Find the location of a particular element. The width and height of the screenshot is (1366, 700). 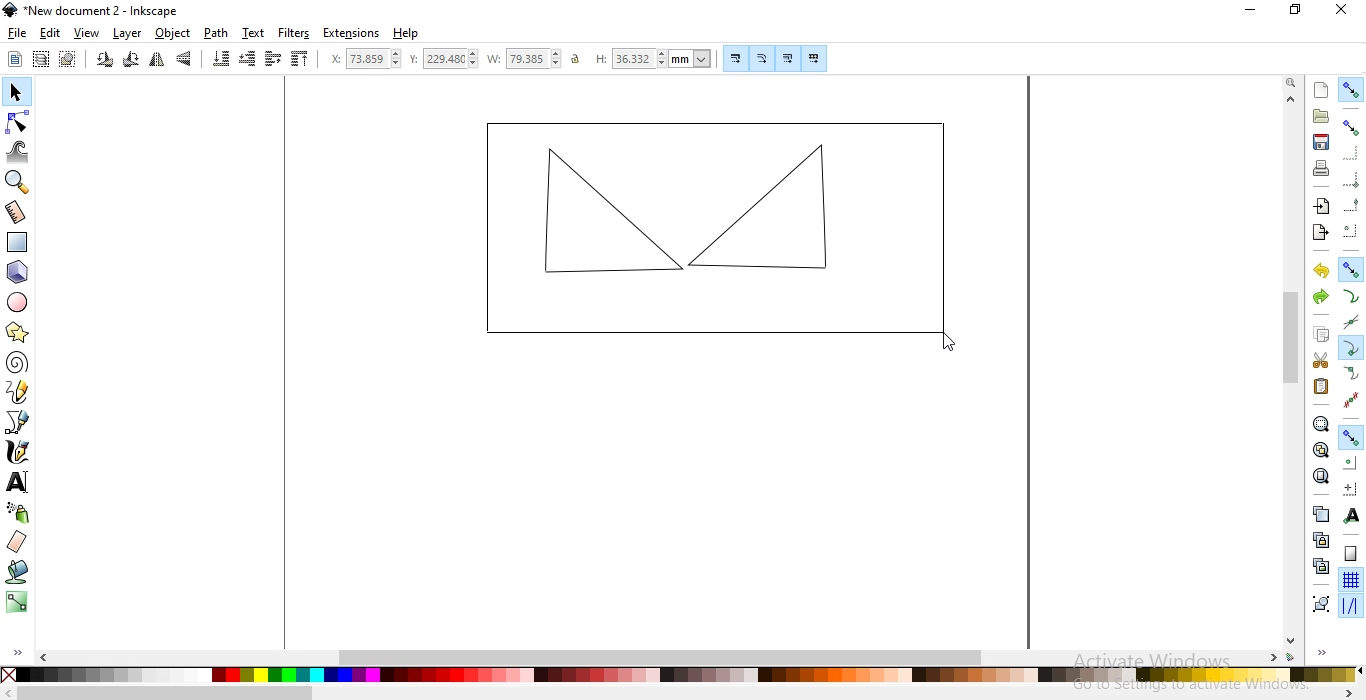

paste selection to clipboard is located at coordinates (1322, 386).